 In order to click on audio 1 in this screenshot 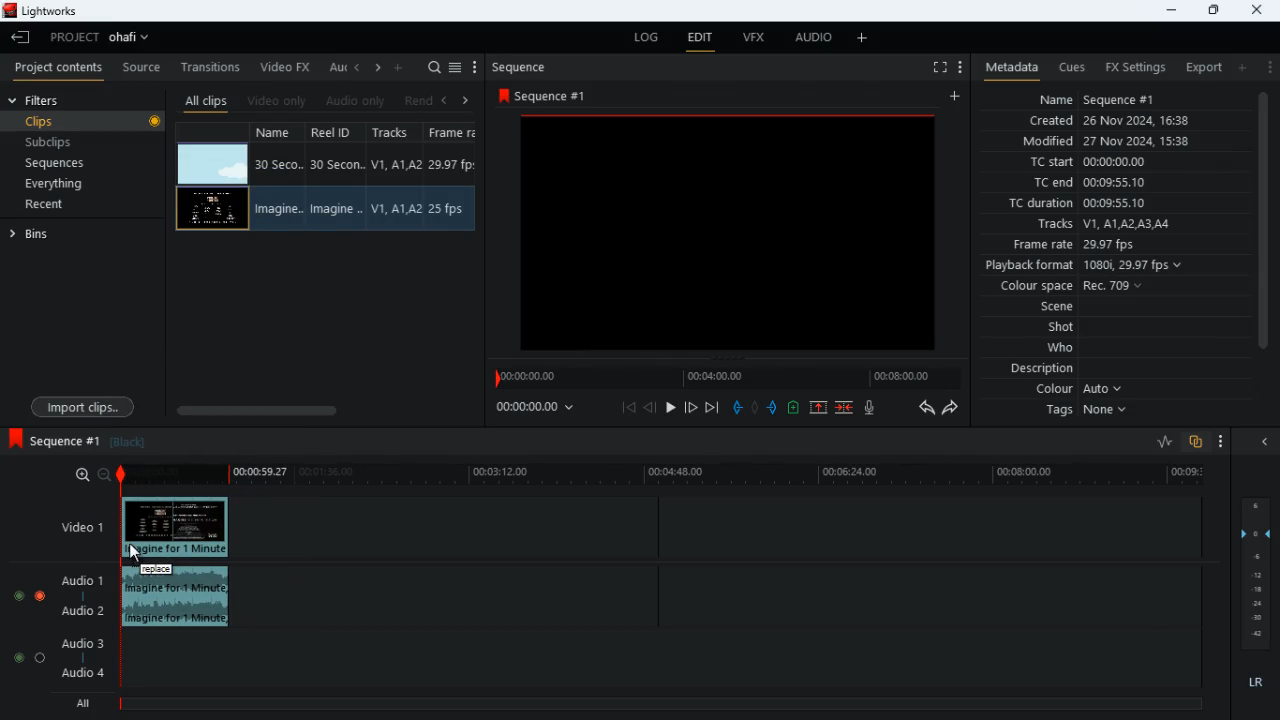, I will do `click(82, 579)`.